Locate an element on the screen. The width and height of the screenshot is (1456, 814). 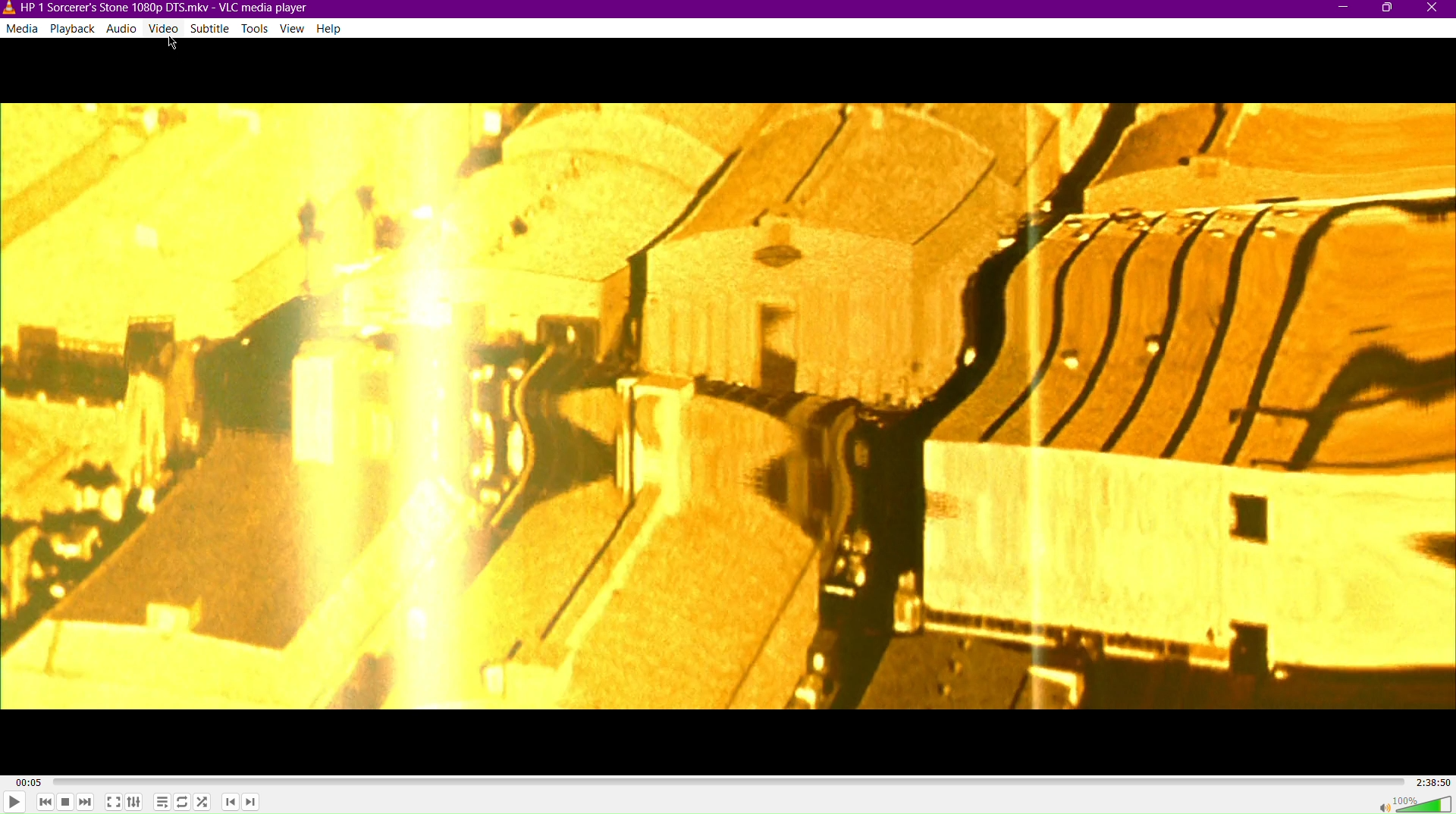
Volume is located at coordinates (1415, 803).